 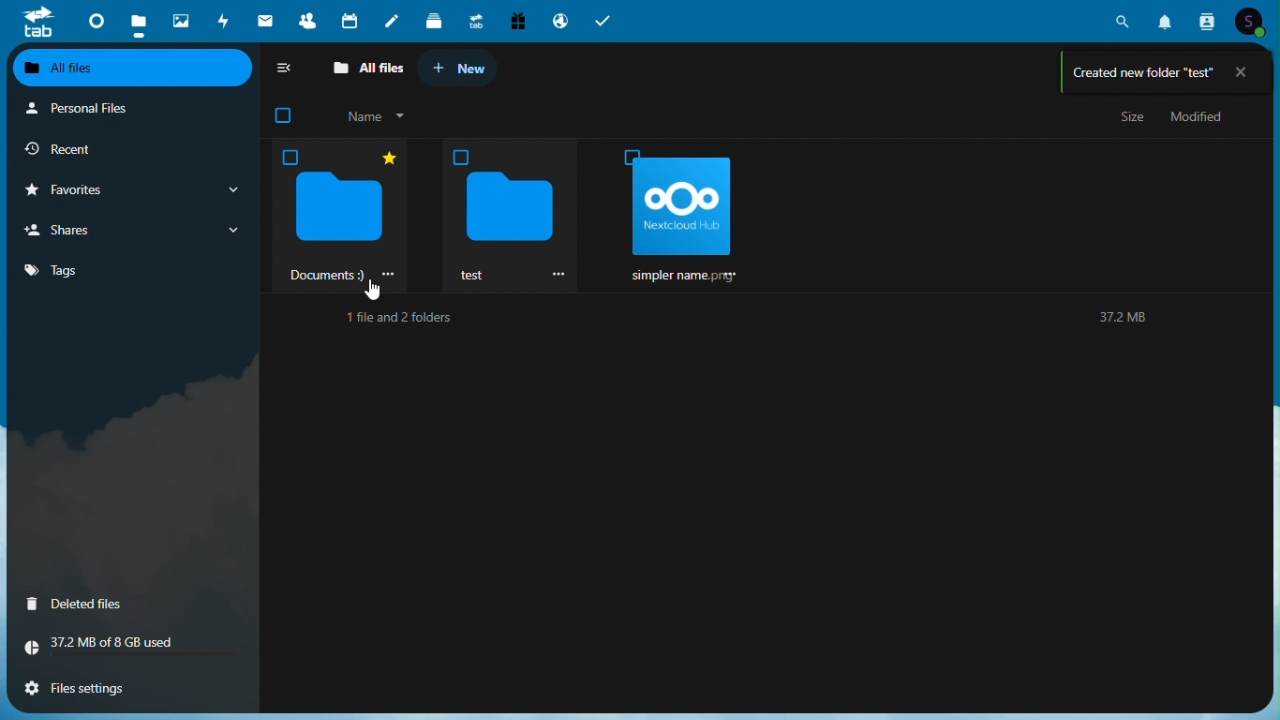 What do you see at coordinates (511, 217) in the screenshot?
I see `Newly created folder` at bounding box center [511, 217].